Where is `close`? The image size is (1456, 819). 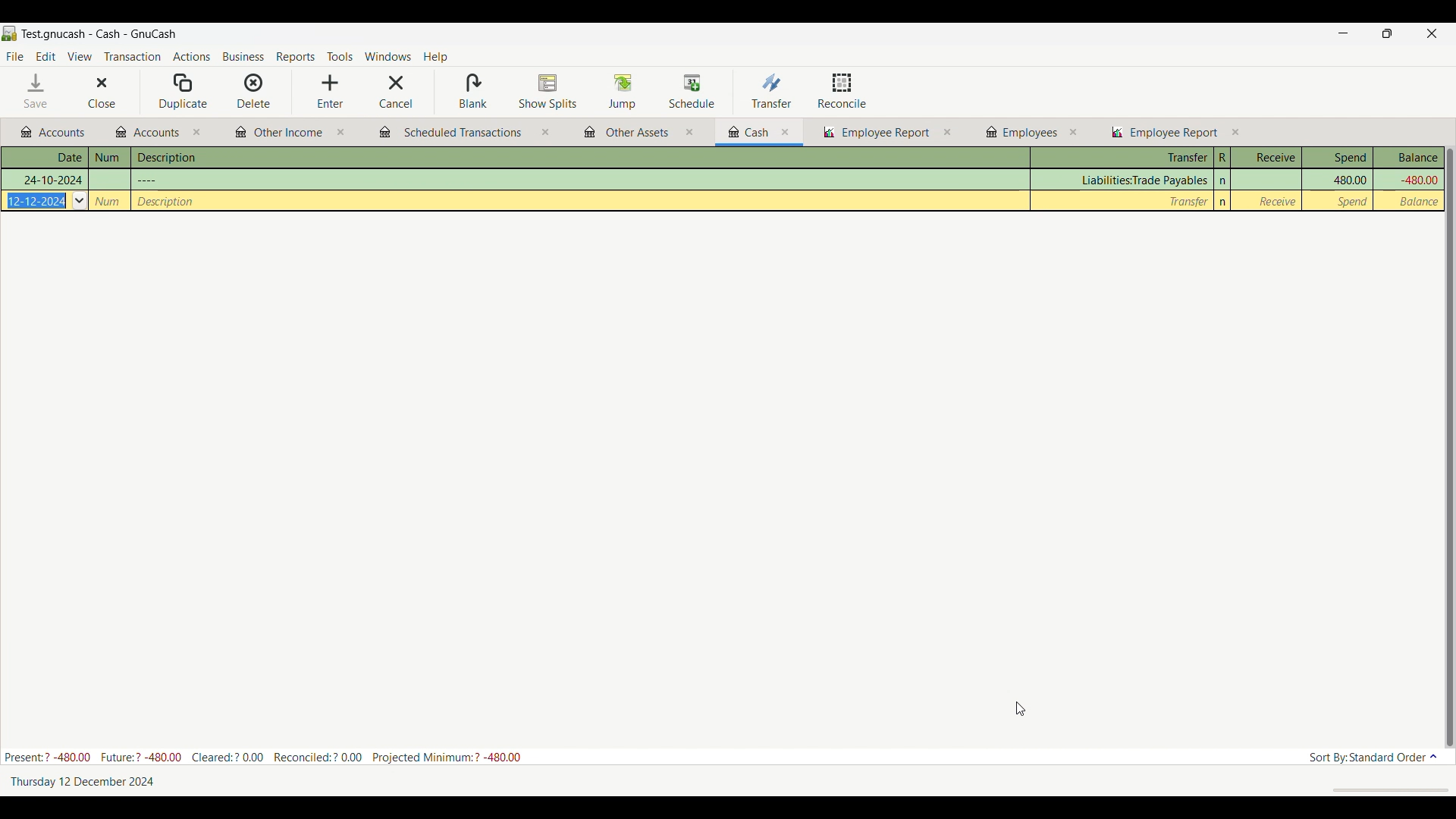
close is located at coordinates (946, 133).